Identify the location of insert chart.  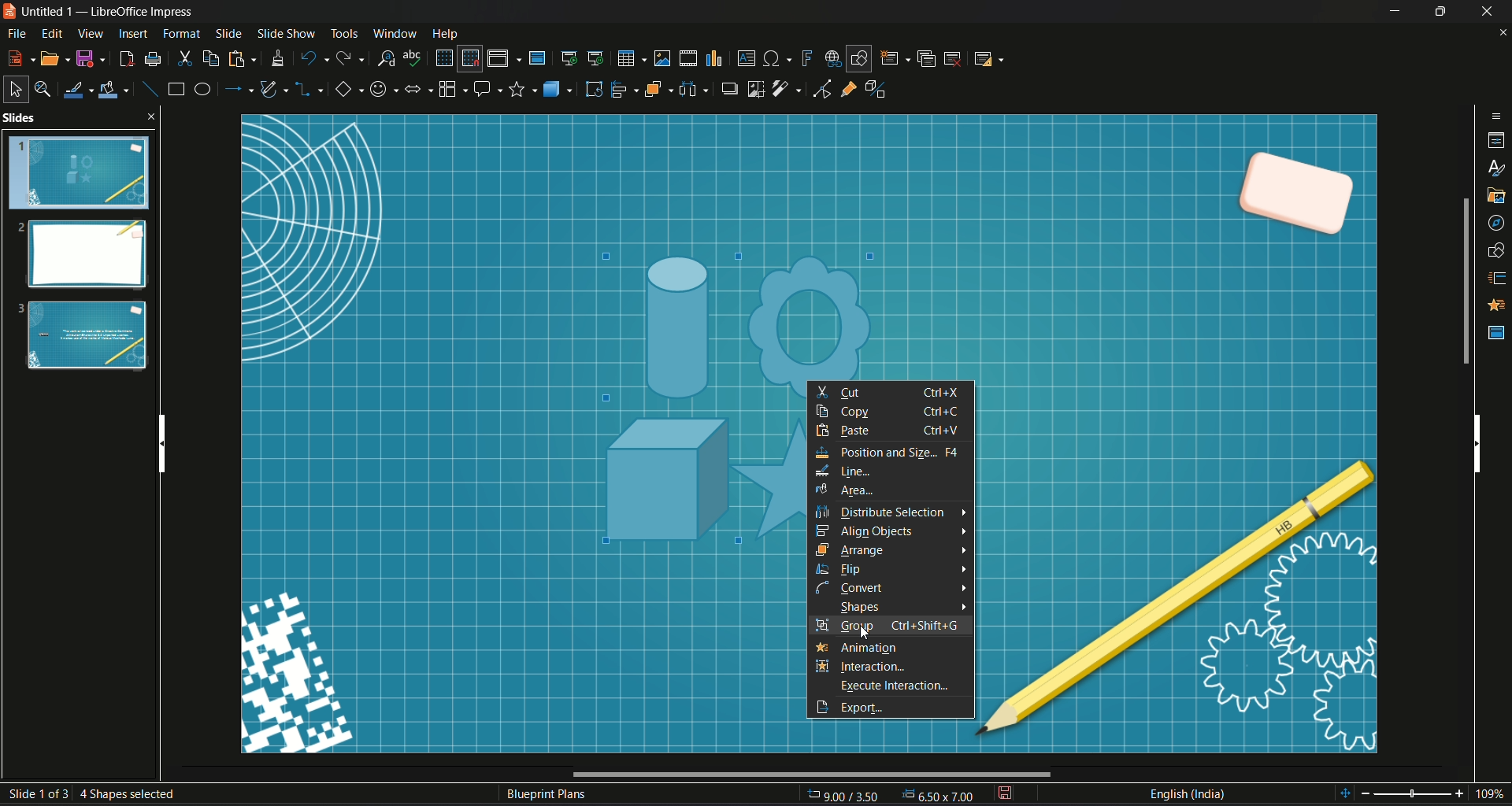
(713, 59).